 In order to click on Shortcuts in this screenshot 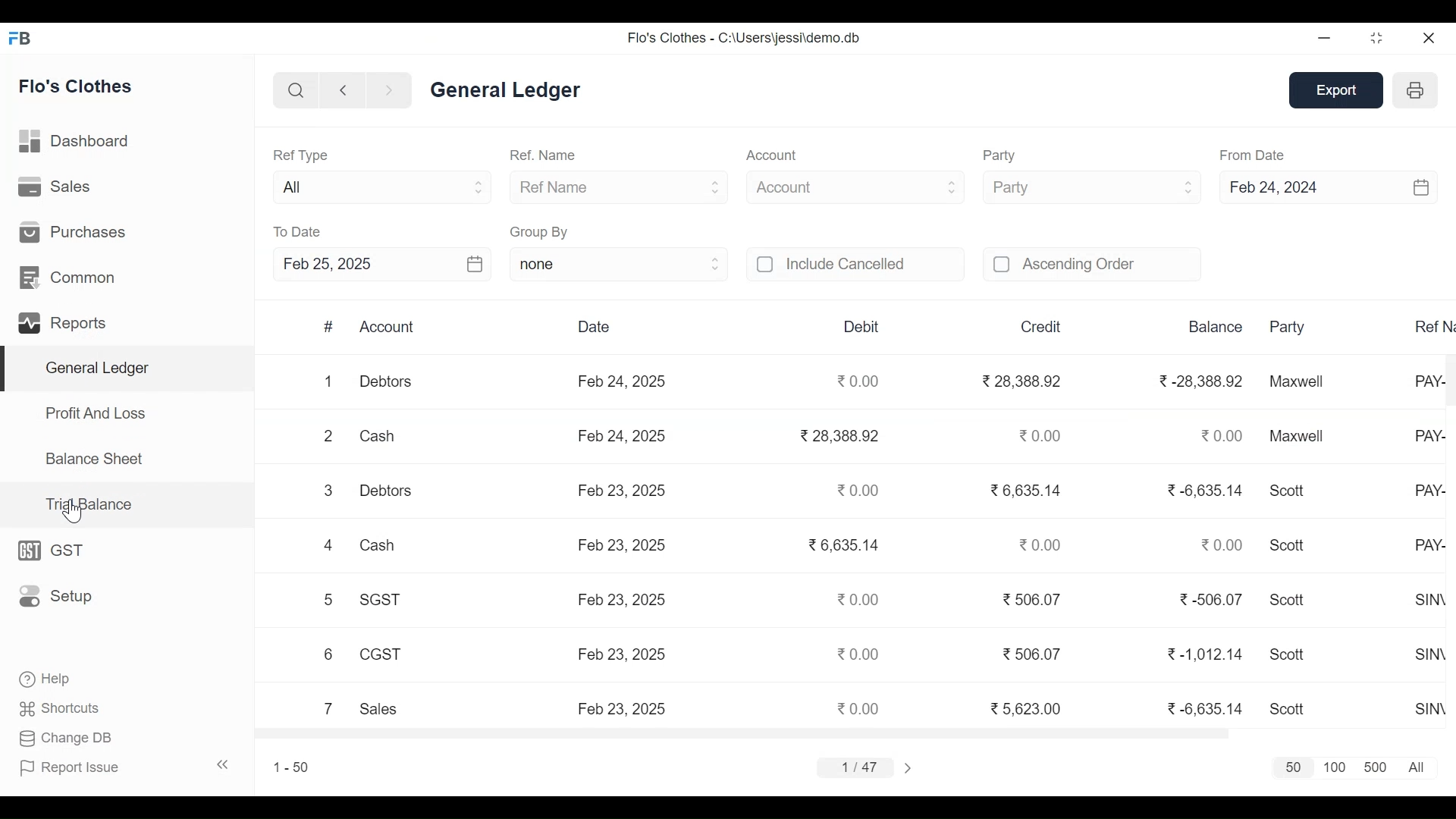, I will do `click(61, 708)`.